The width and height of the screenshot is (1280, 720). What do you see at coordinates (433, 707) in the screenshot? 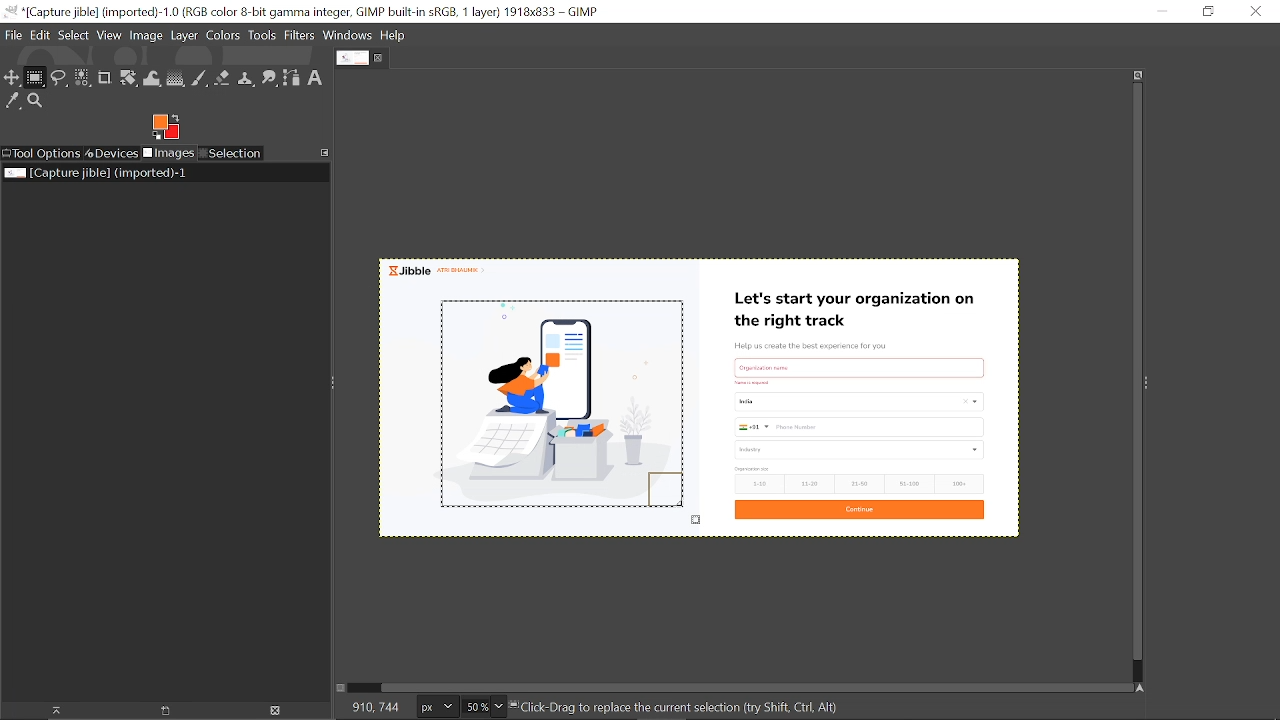
I see `Image unit` at bounding box center [433, 707].